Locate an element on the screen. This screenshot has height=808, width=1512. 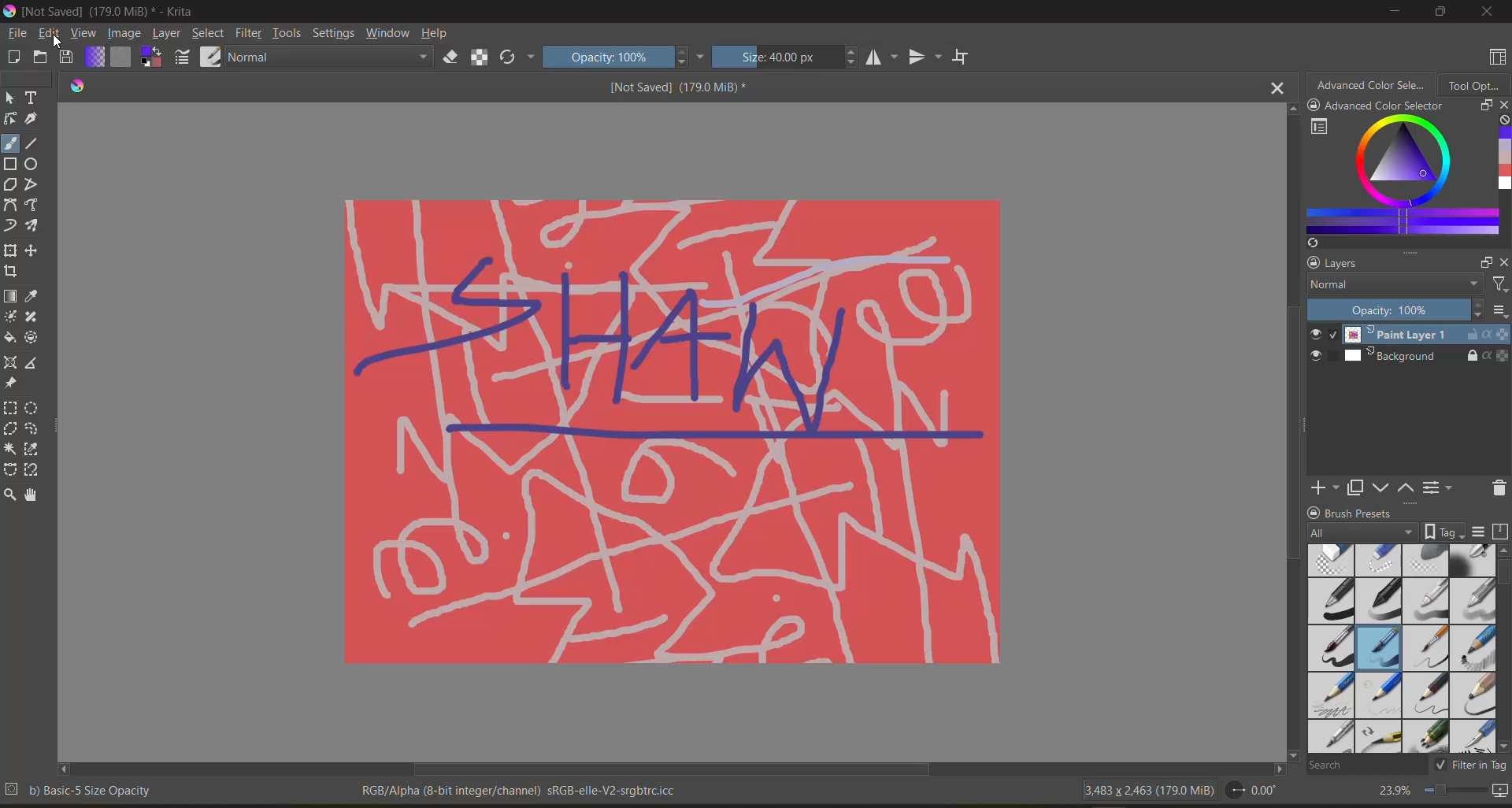
minimize is located at coordinates (1398, 10).